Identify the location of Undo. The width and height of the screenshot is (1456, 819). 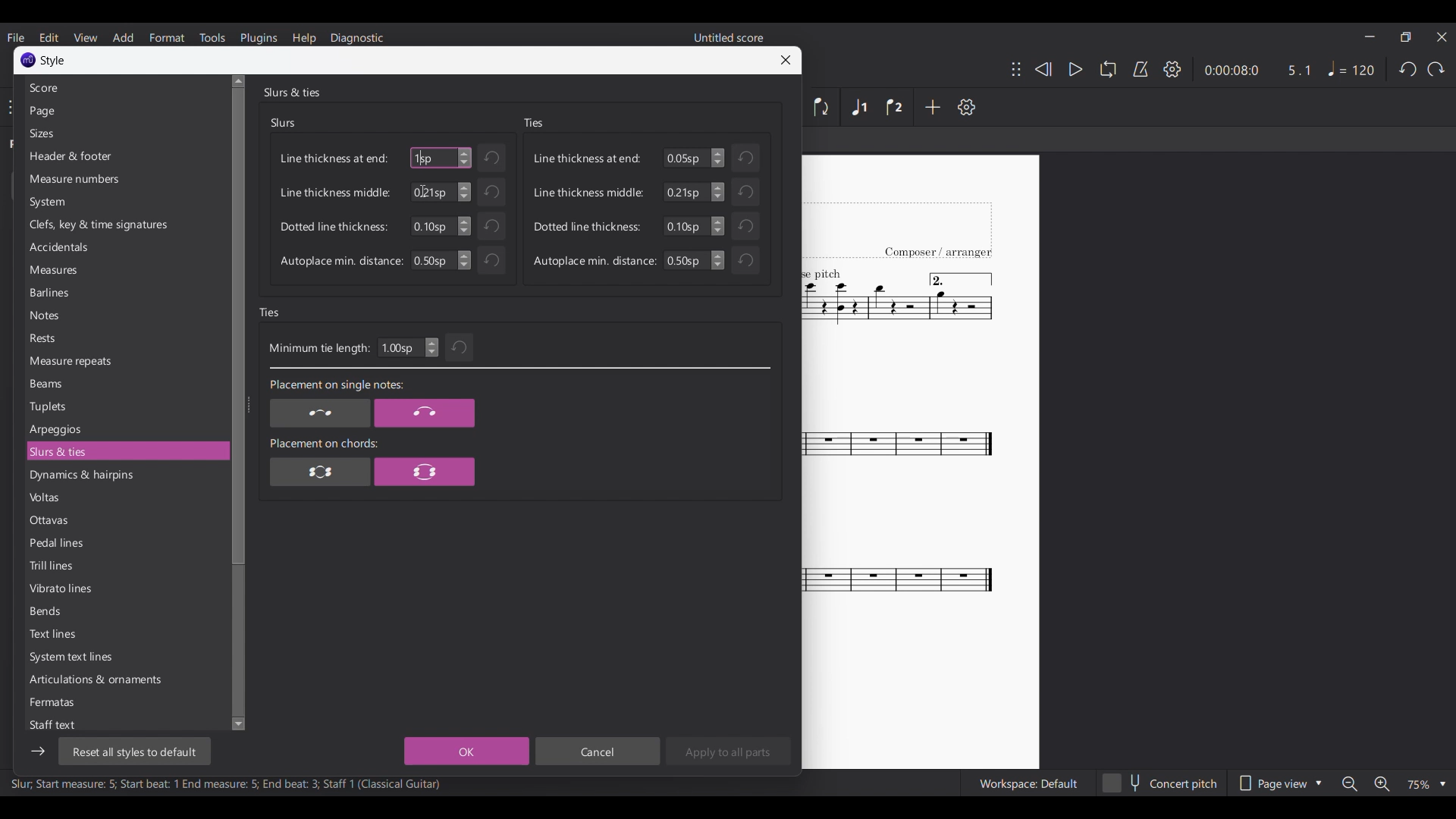
(745, 226).